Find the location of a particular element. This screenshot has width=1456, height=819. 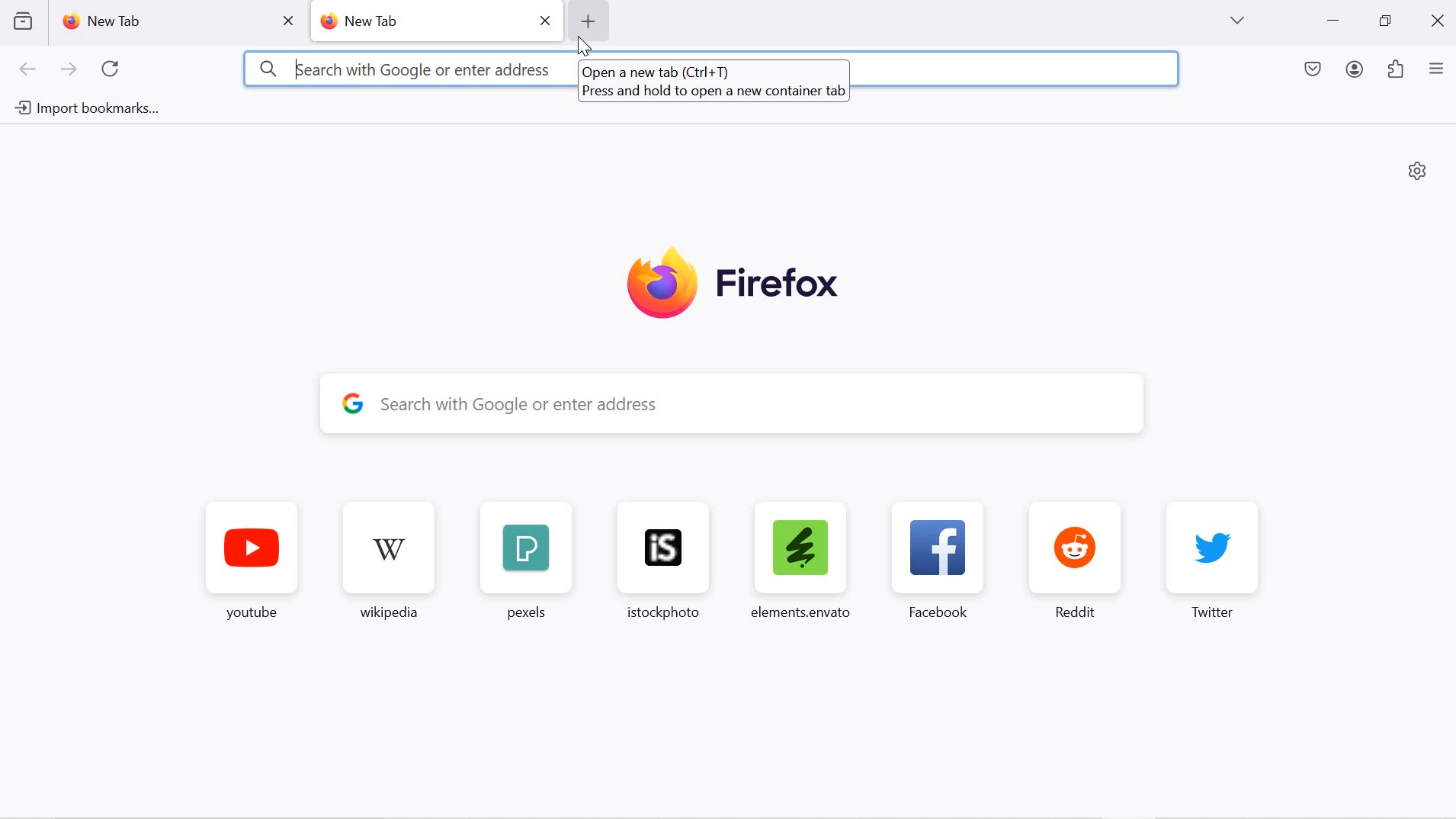

view recent browsing across devices and windows is located at coordinates (22, 21).